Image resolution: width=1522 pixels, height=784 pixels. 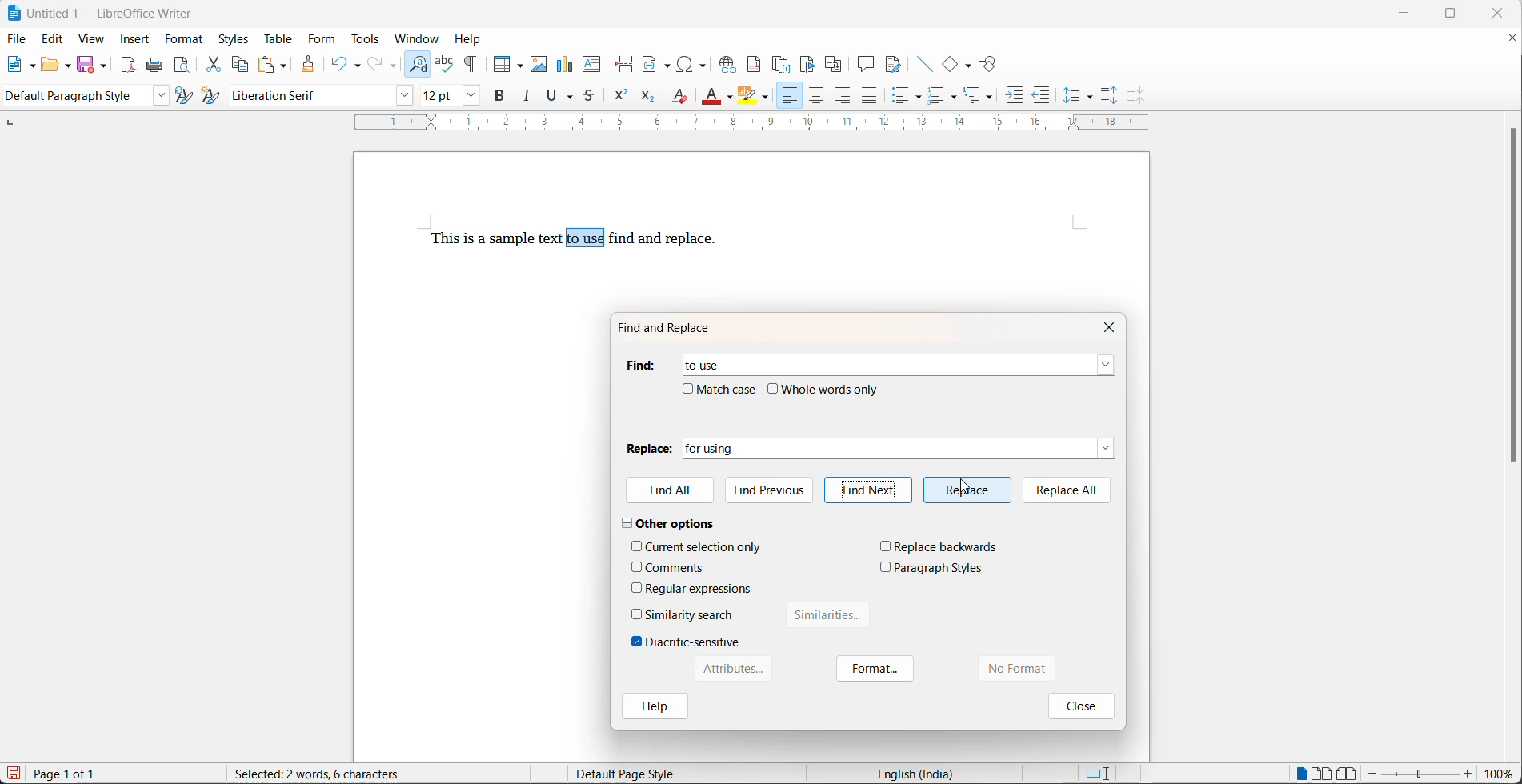 I want to click on font name, so click(x=306, y=96).